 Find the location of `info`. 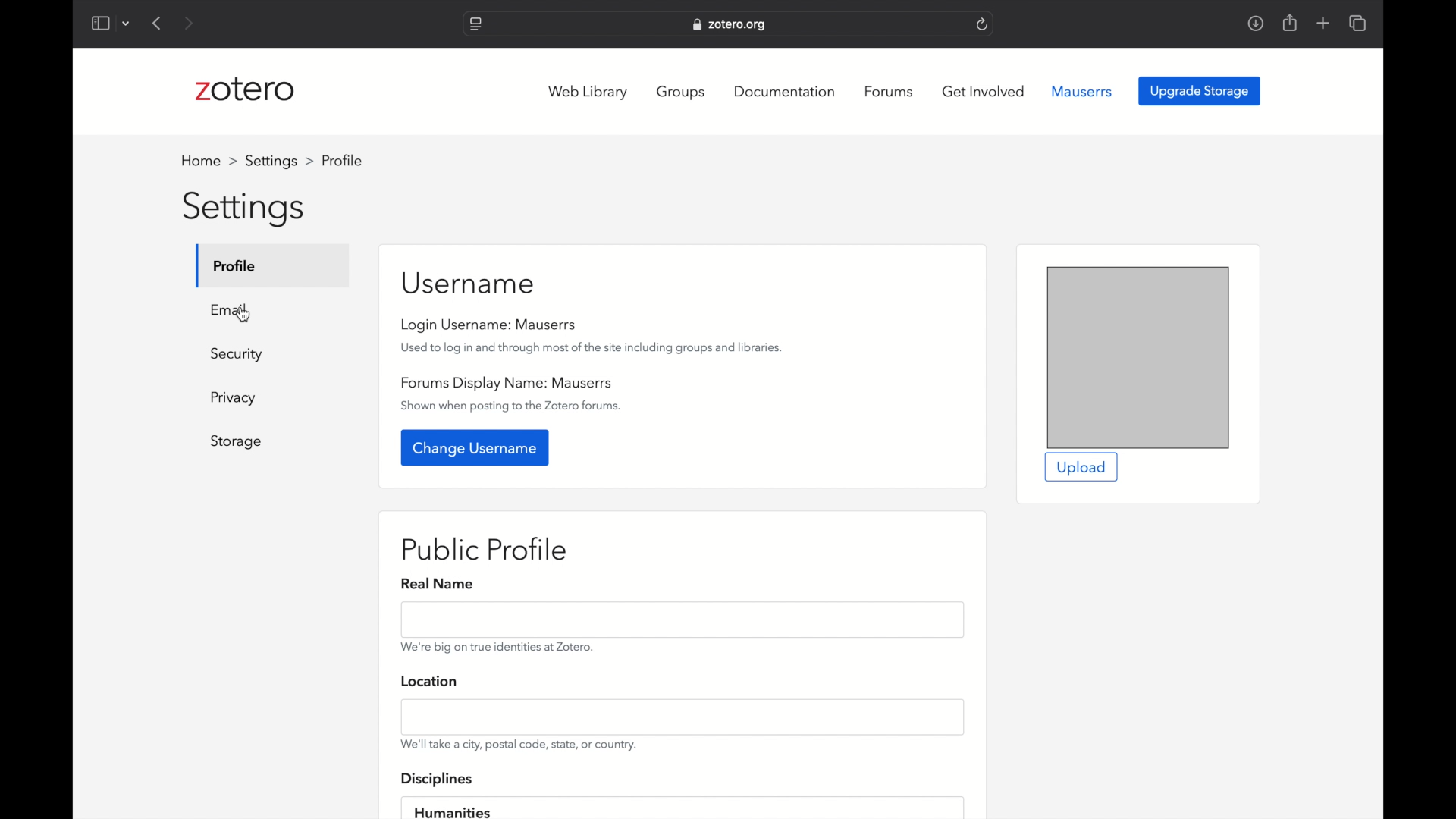

info is located at coordinates (519, 745).